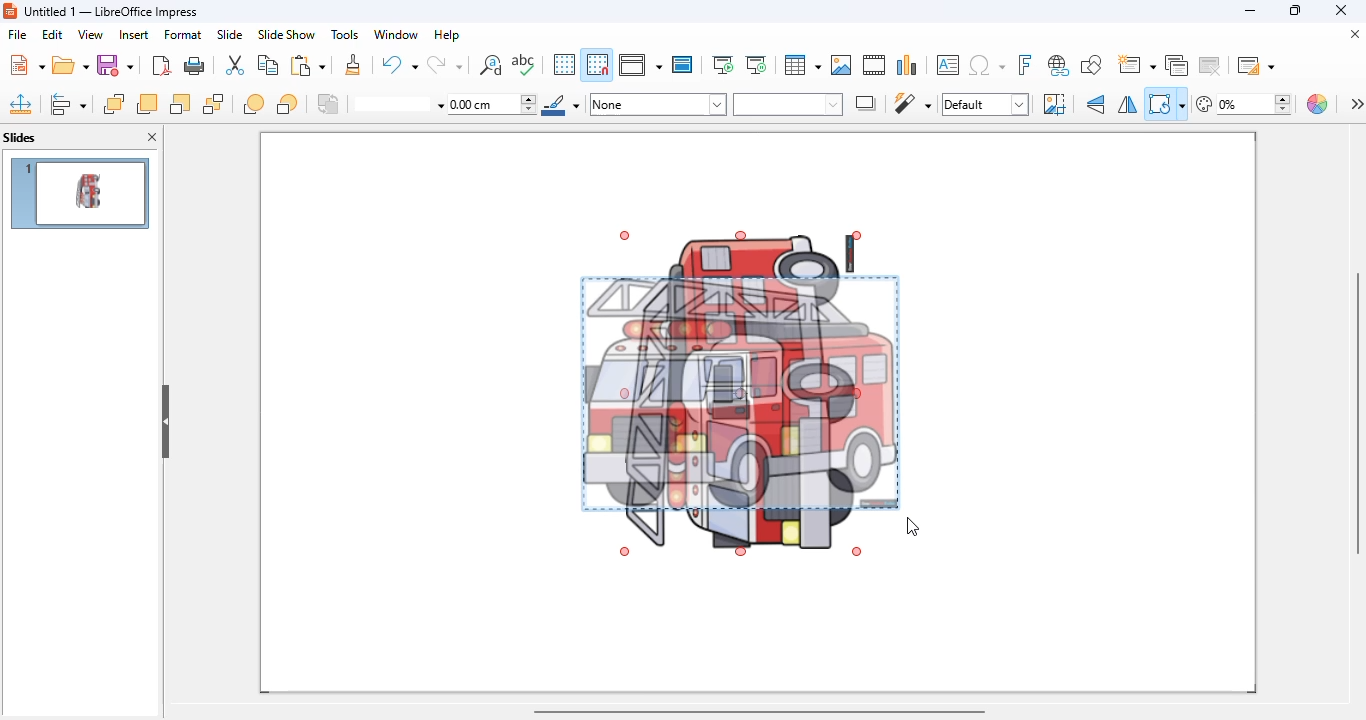 This screenshot has width=1366, height=720. What do you see at coordinates (913, 526) in the screenshot?
I see `mouse up` at bounding box center [913, 526].